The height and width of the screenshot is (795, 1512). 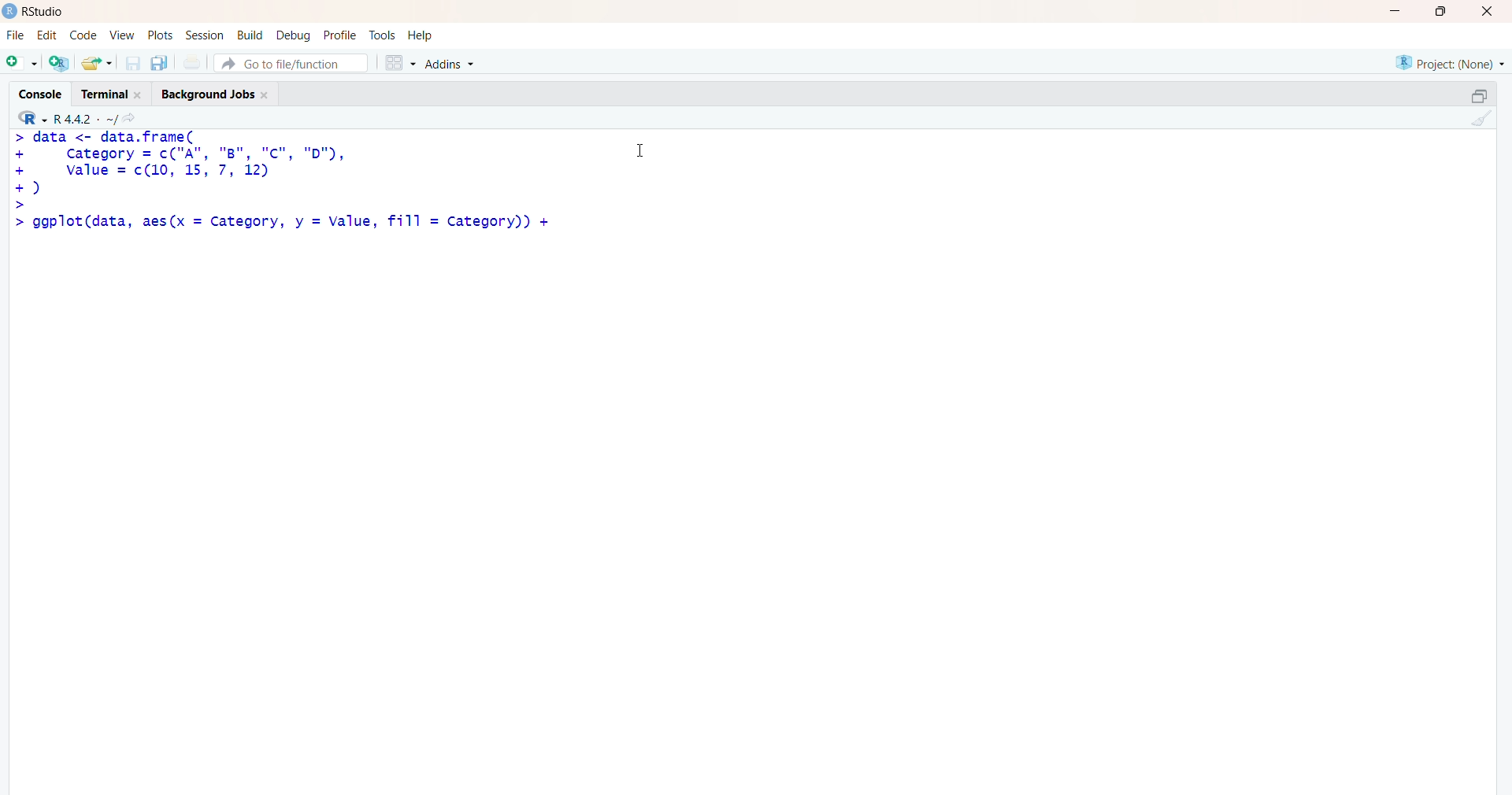 I want to click on Cursor, so click(x=641, y=148).